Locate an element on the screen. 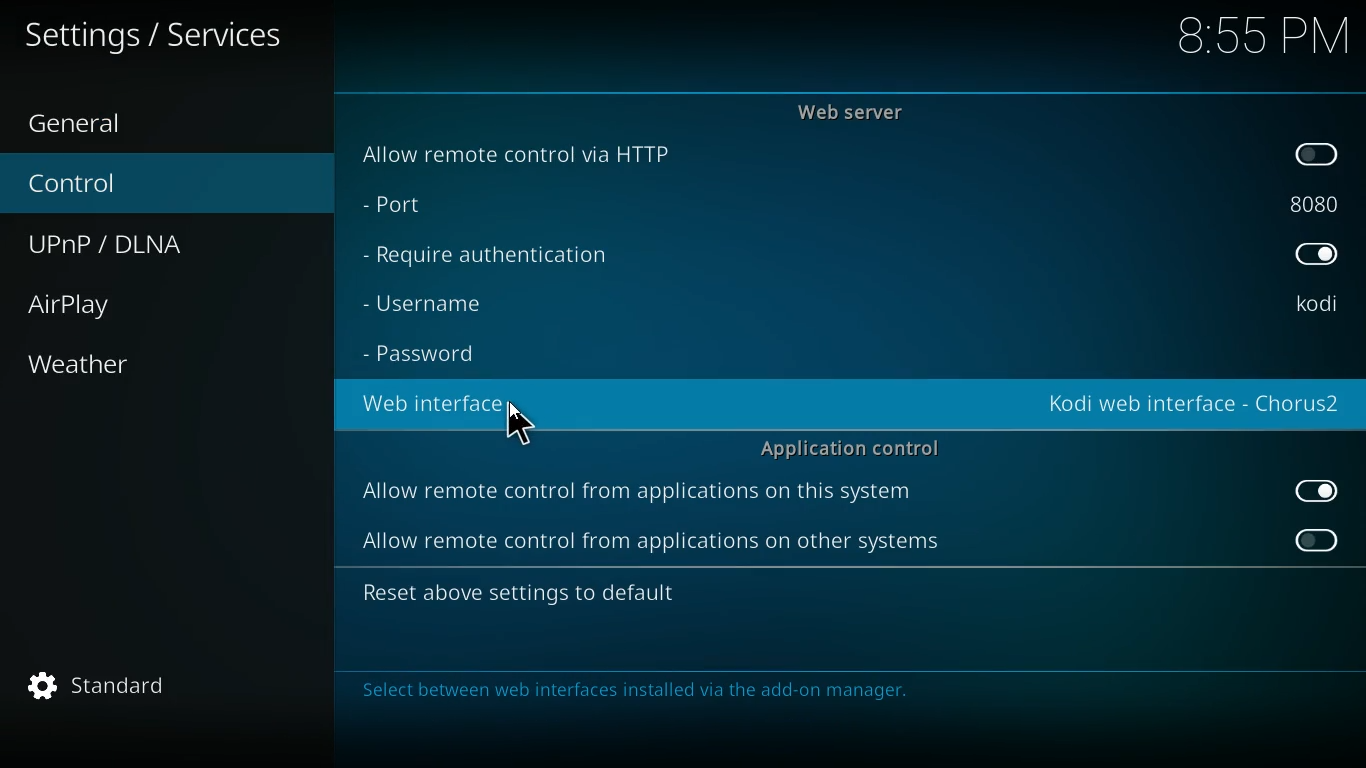 This screenshot has width=1366, height=768. Weather is located at coordinates (82, 364).